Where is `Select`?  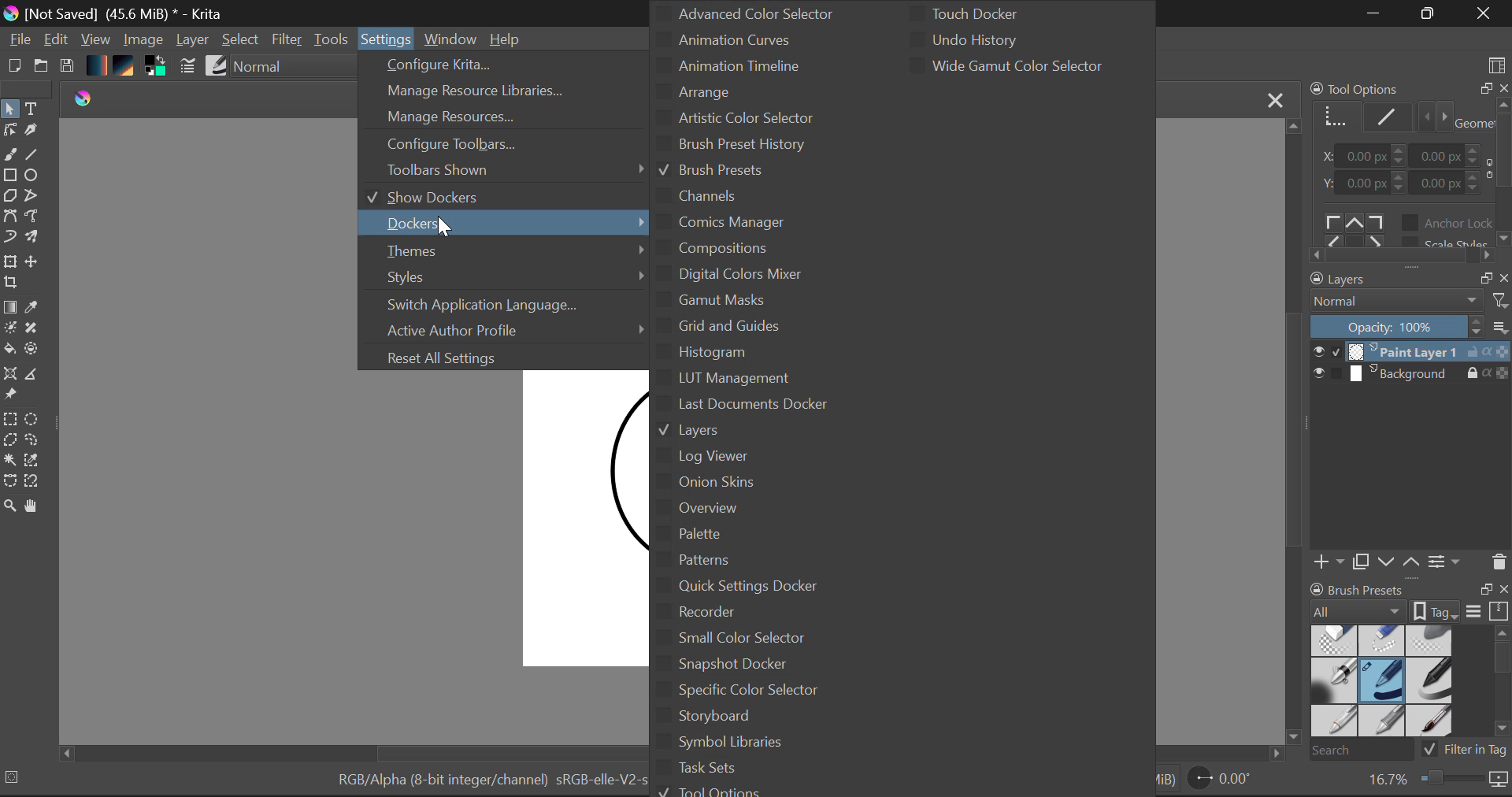 Select is located at coordinates (10, 109).